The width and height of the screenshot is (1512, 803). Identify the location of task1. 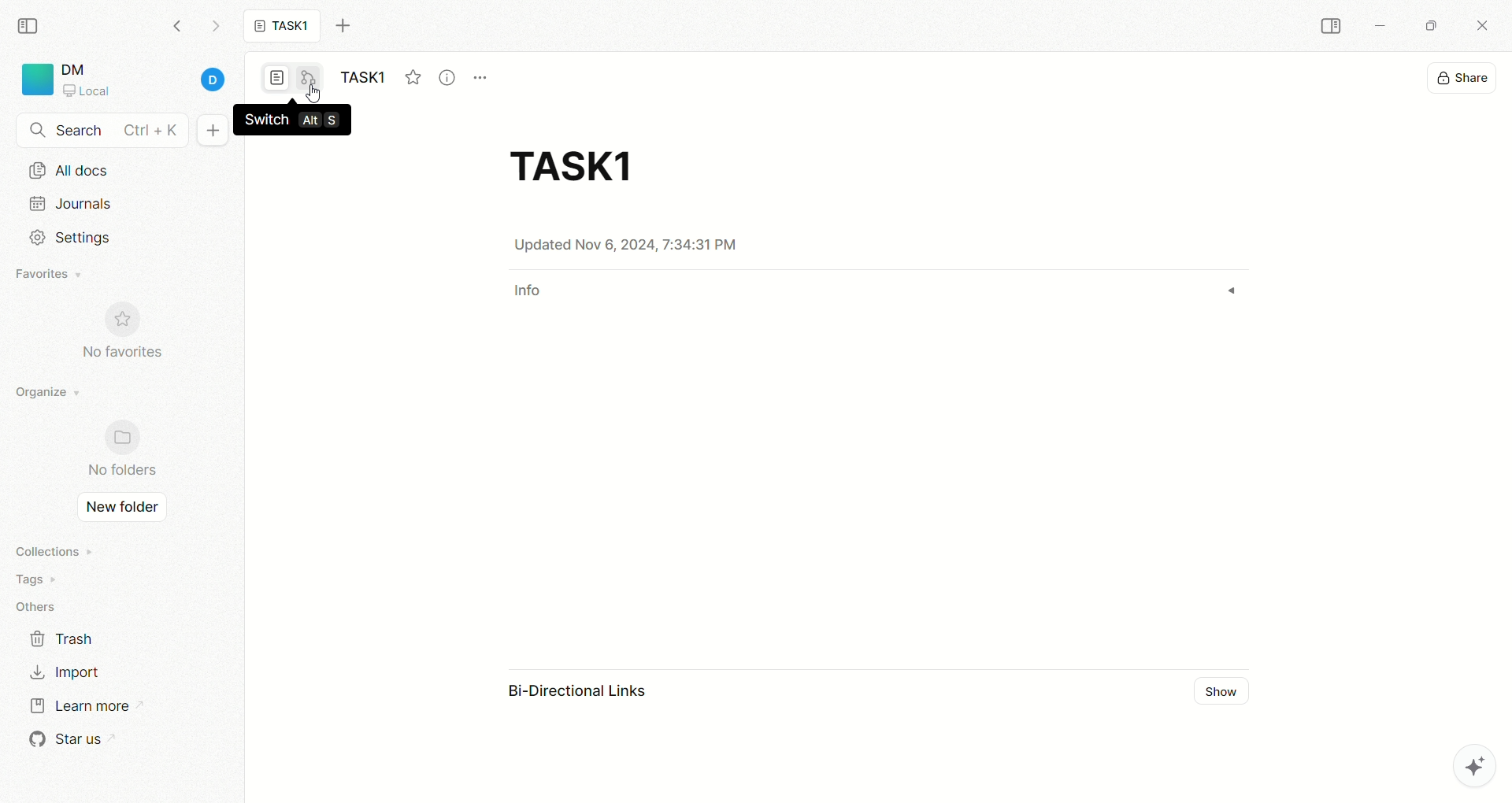
(367, 80).